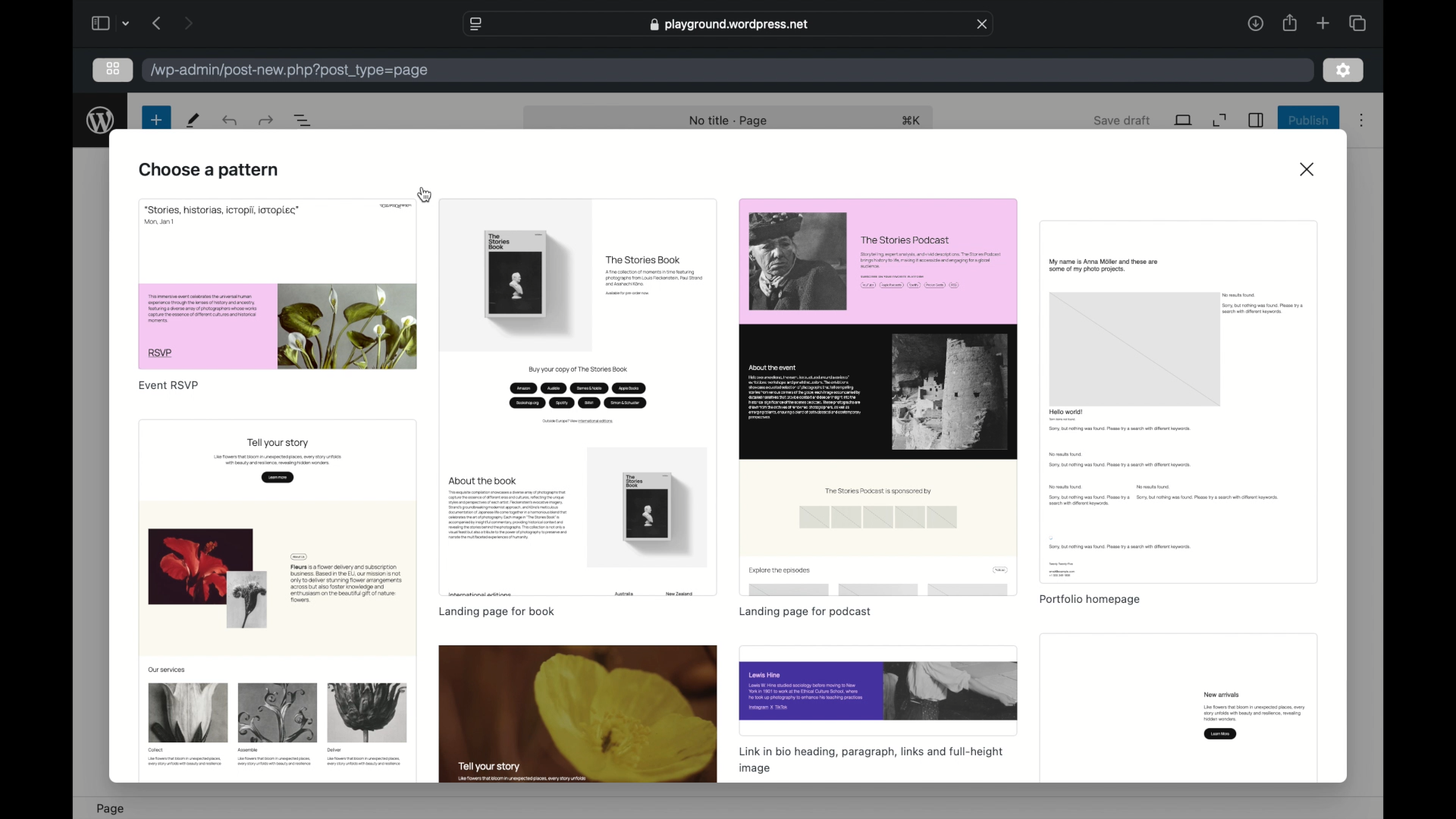 Image resolution: width=1456 pixels, height=819 pixels. What do you see at coordinates (426, 194) in the screenshot?
I see `cursor` at bounding box center [426, 194].